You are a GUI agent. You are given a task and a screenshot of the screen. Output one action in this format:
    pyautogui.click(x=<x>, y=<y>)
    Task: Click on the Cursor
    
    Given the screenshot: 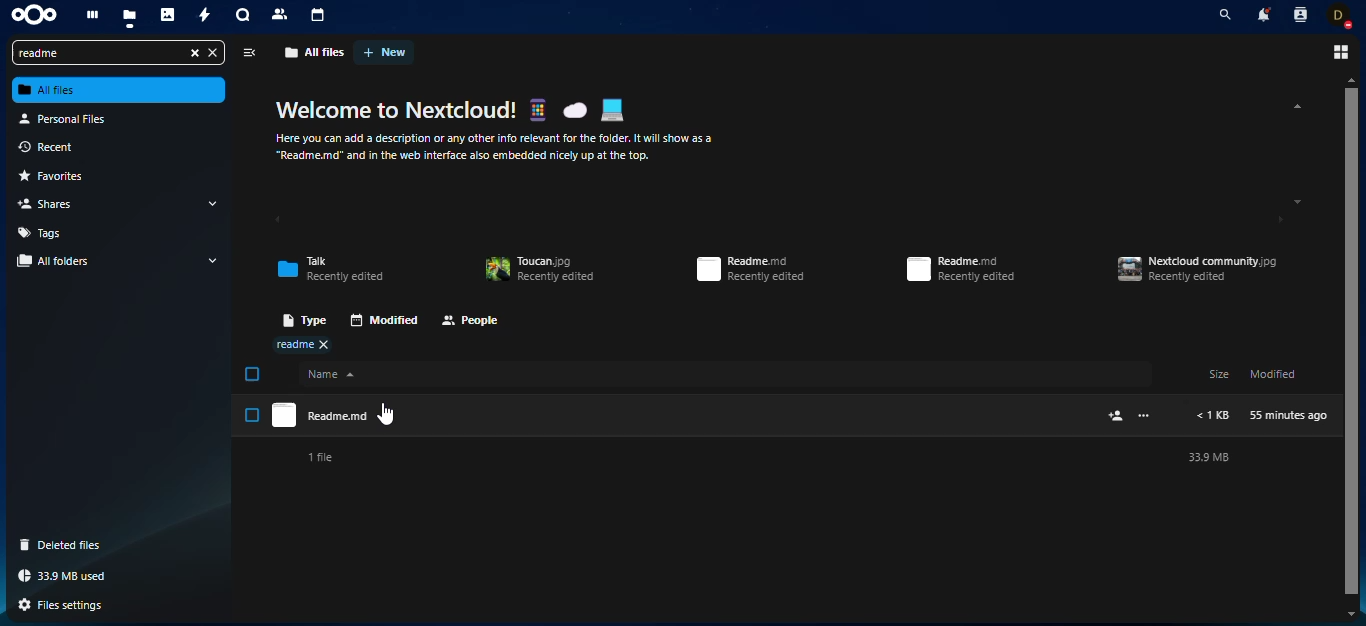 What is the action you would take?
    pyautogui.click(x=385, y=414)
    